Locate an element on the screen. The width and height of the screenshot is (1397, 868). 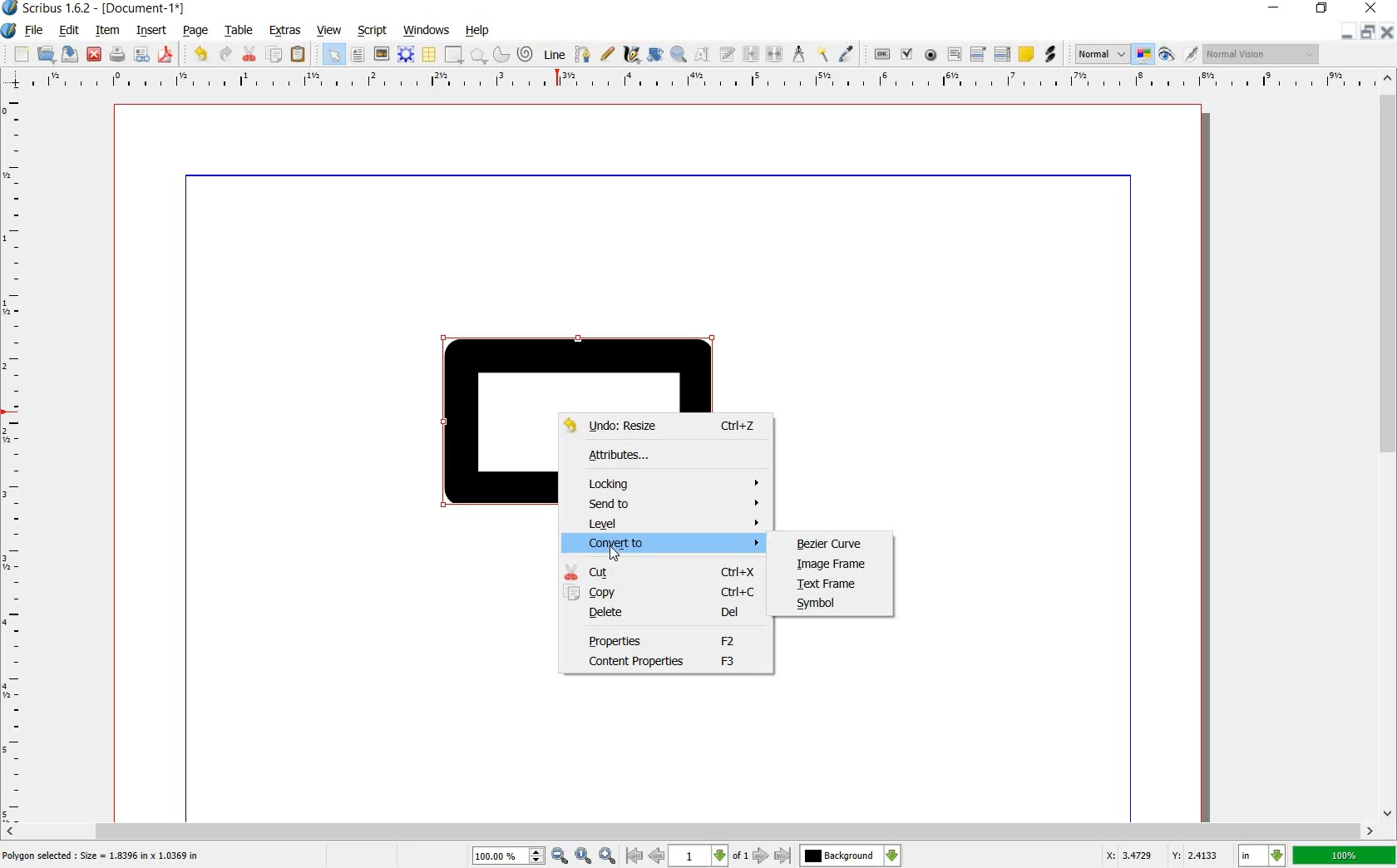
zoom factor is located at coordinates (1345, 856).